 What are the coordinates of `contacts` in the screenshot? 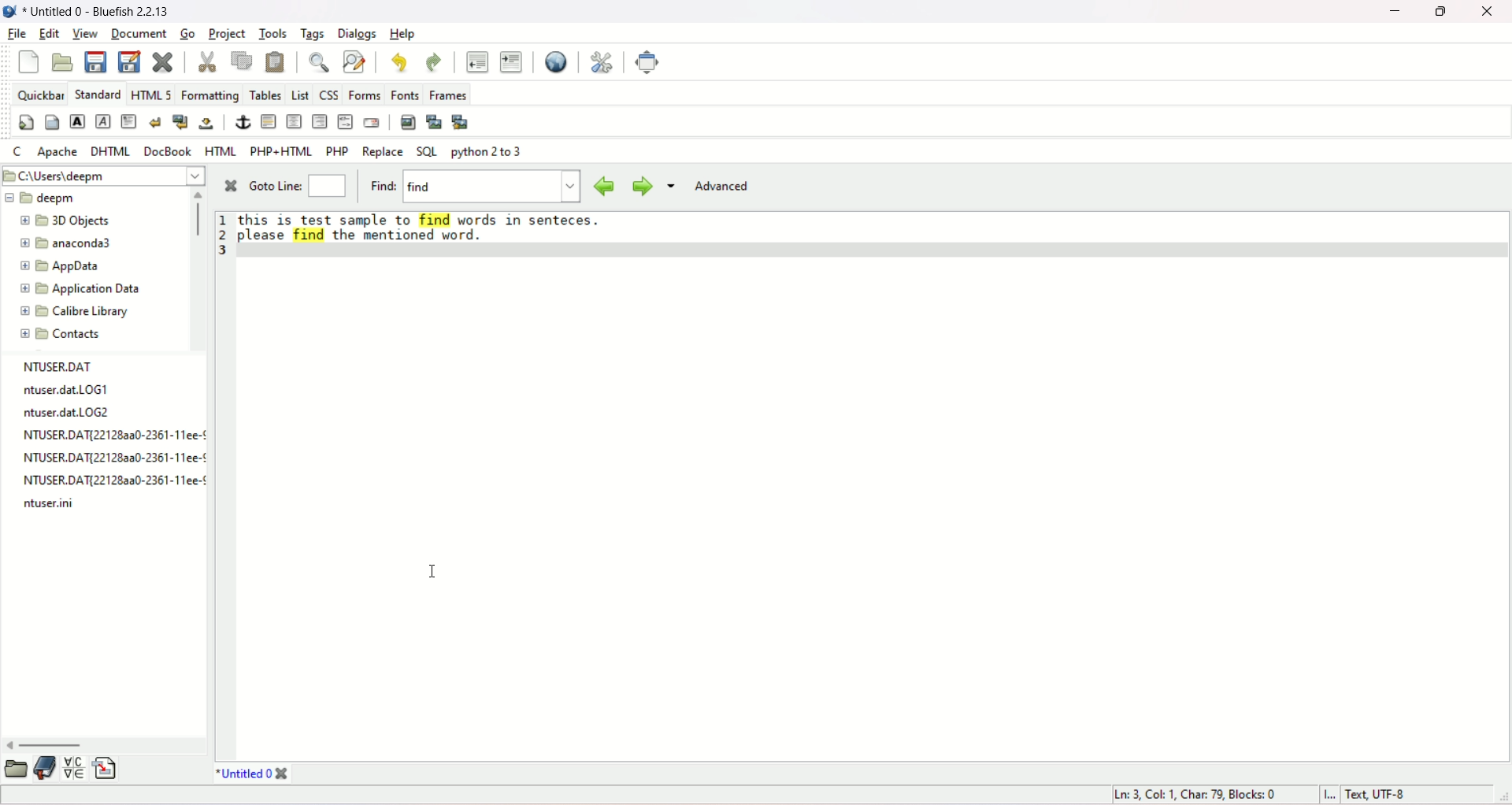 It's located at (65, 334).